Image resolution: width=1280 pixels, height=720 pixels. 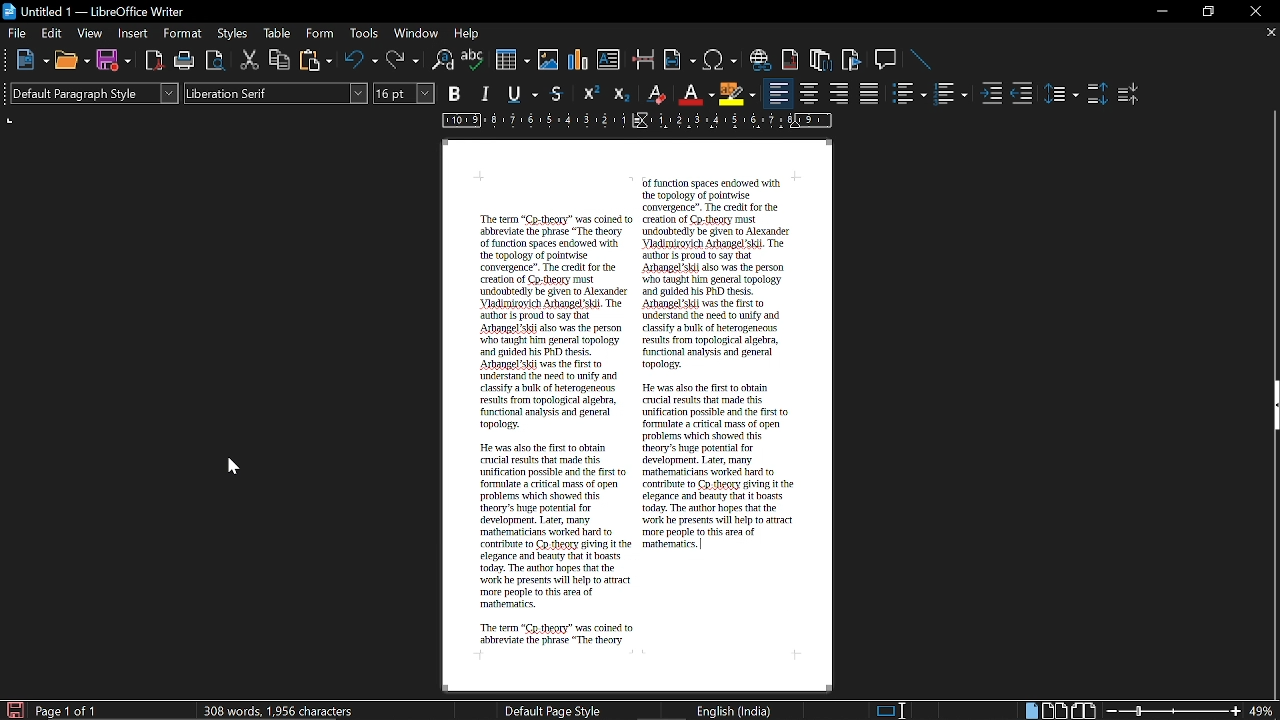 I want to click on Superscript, so click(x=590, y=94).